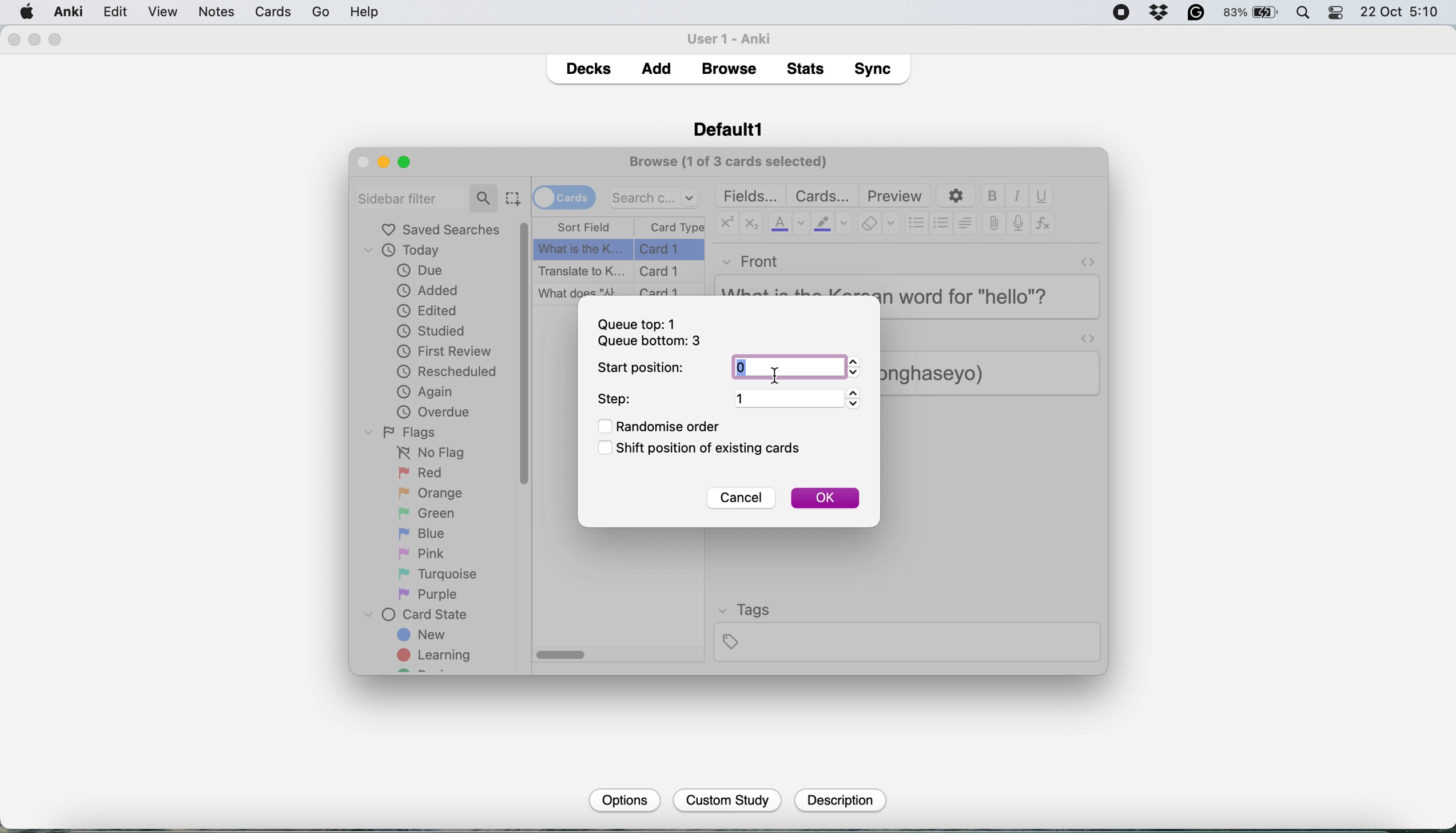 This screenshot has height=833, width=1456. What do you see at coordinates (27, 11) in the screenshot?
I see `system logo` at bounding box center [27, 11].